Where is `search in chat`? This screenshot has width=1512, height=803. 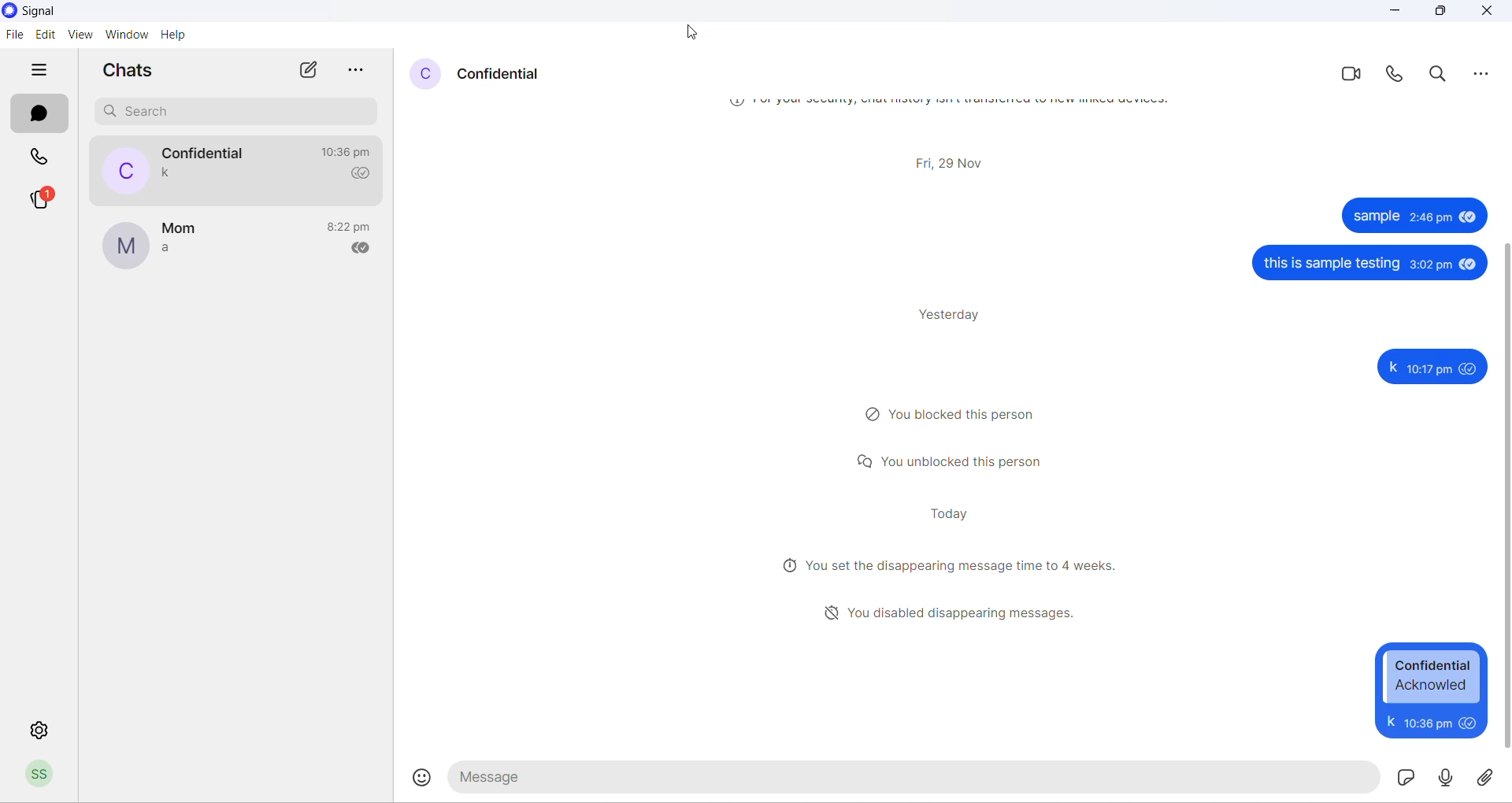 search in chat is located at coordinates (1440, 75).